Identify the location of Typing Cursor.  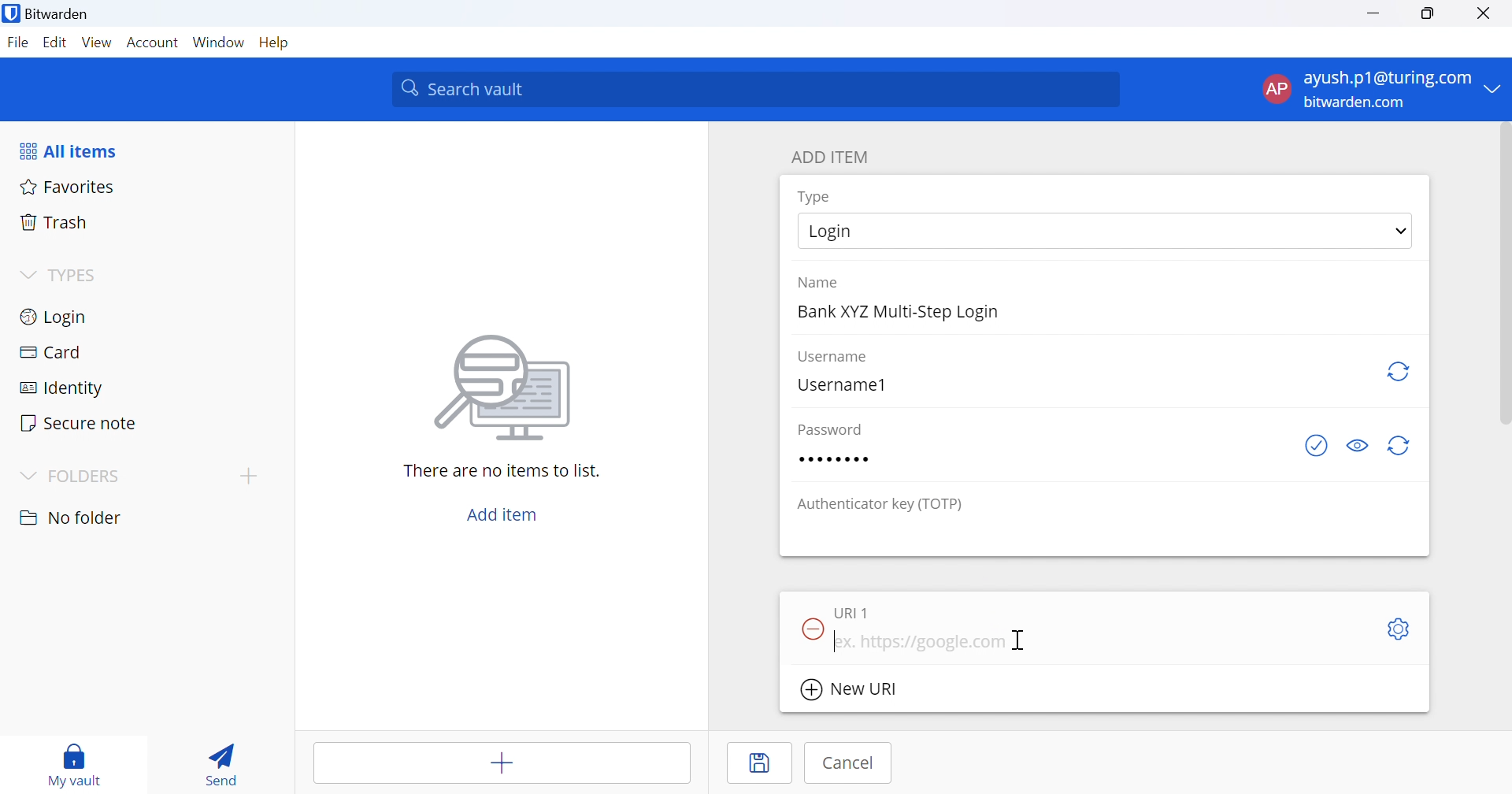
(837, 643).